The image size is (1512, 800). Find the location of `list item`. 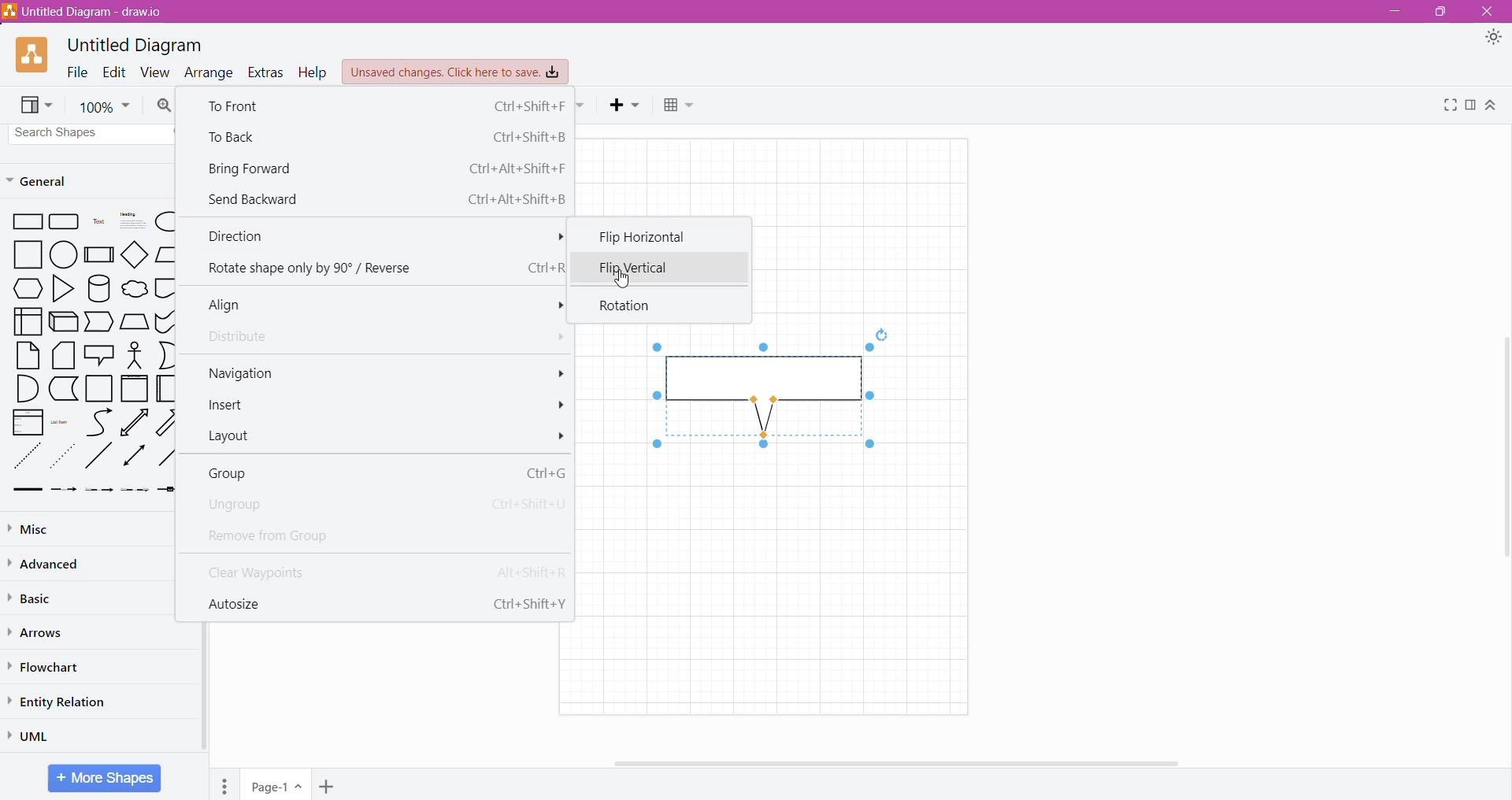

list item is located at coordinates (63, 421).